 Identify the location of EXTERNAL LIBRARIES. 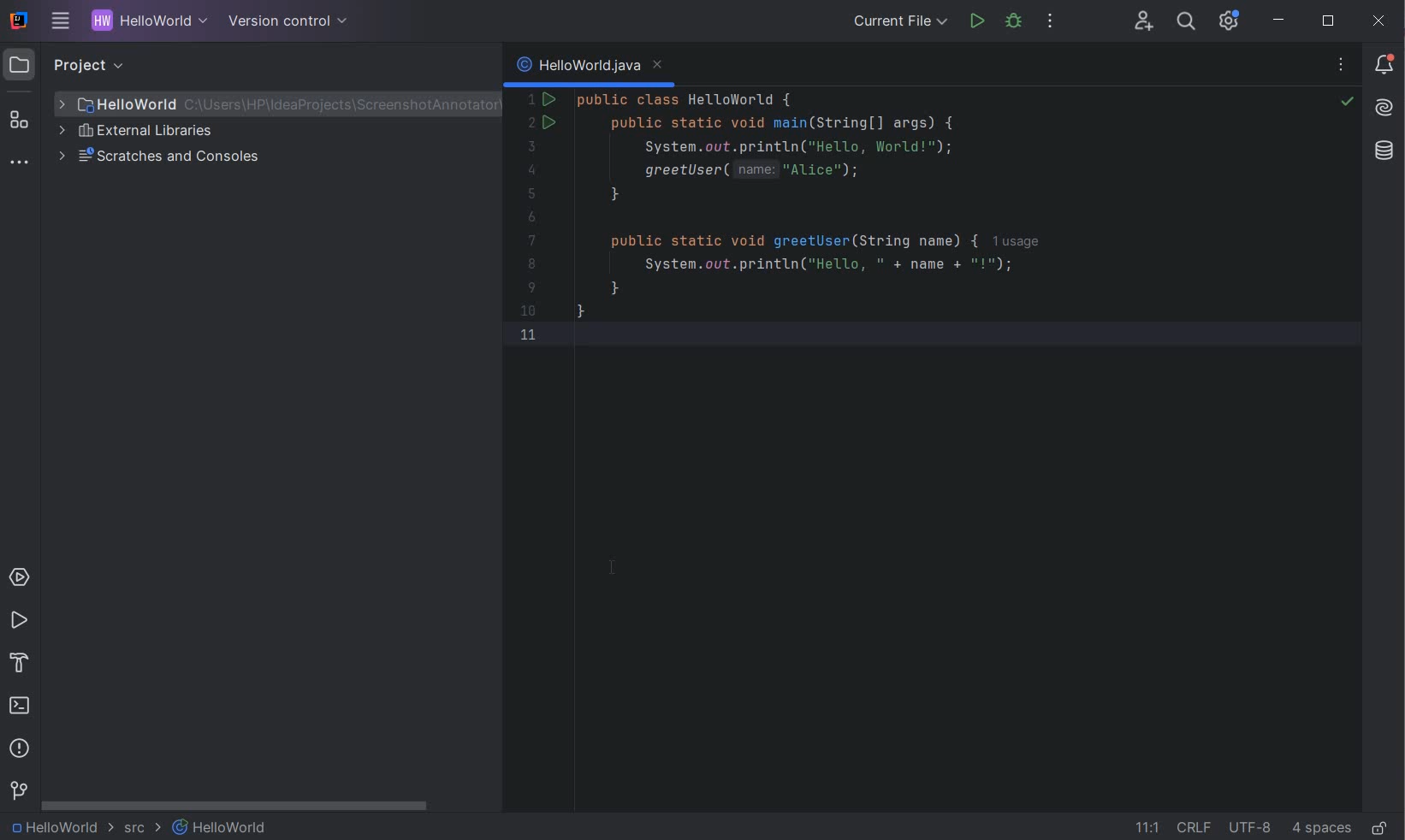
(138, 133).